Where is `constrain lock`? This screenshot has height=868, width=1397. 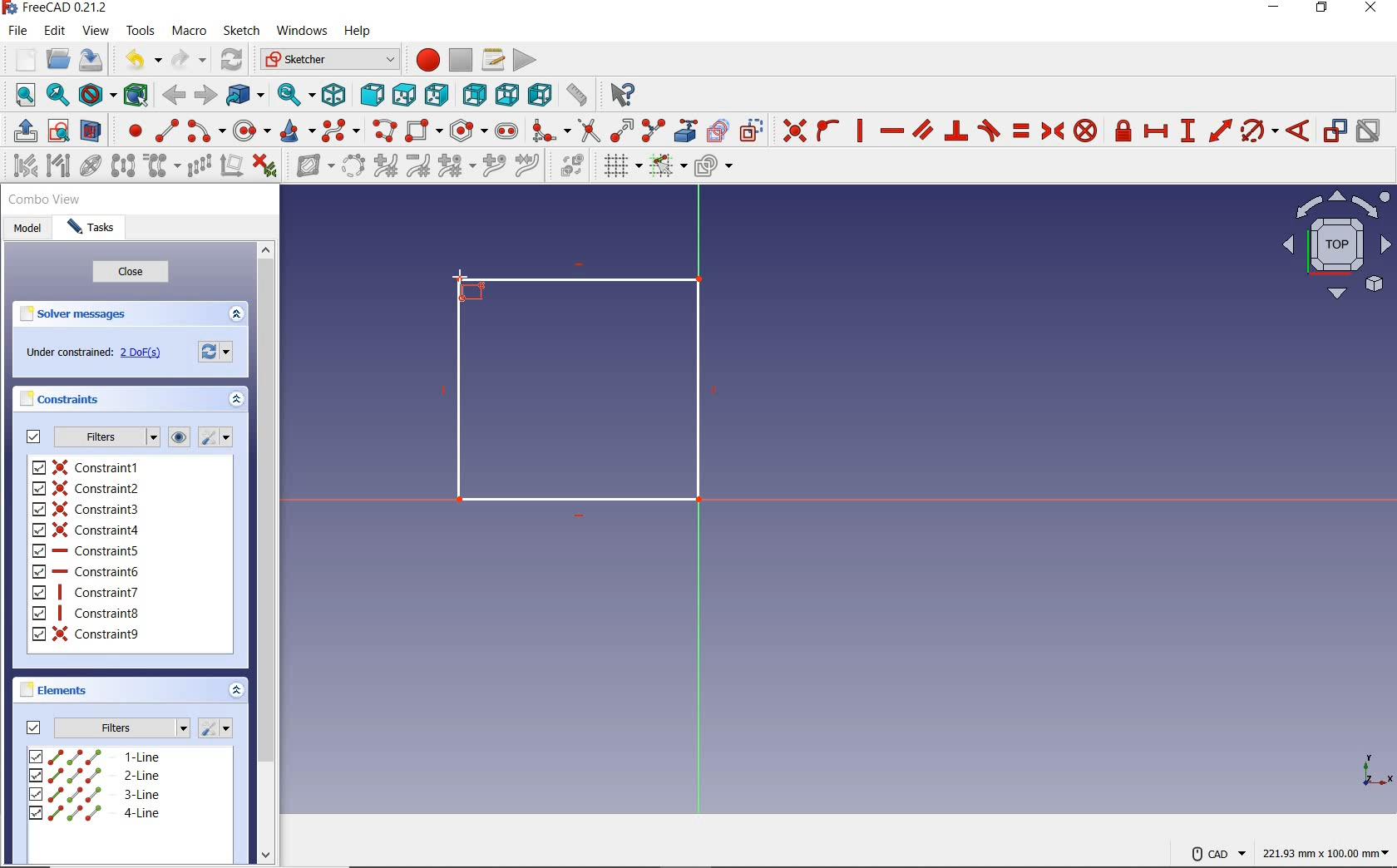
constrain lock is located at coordinates (1123, 131).